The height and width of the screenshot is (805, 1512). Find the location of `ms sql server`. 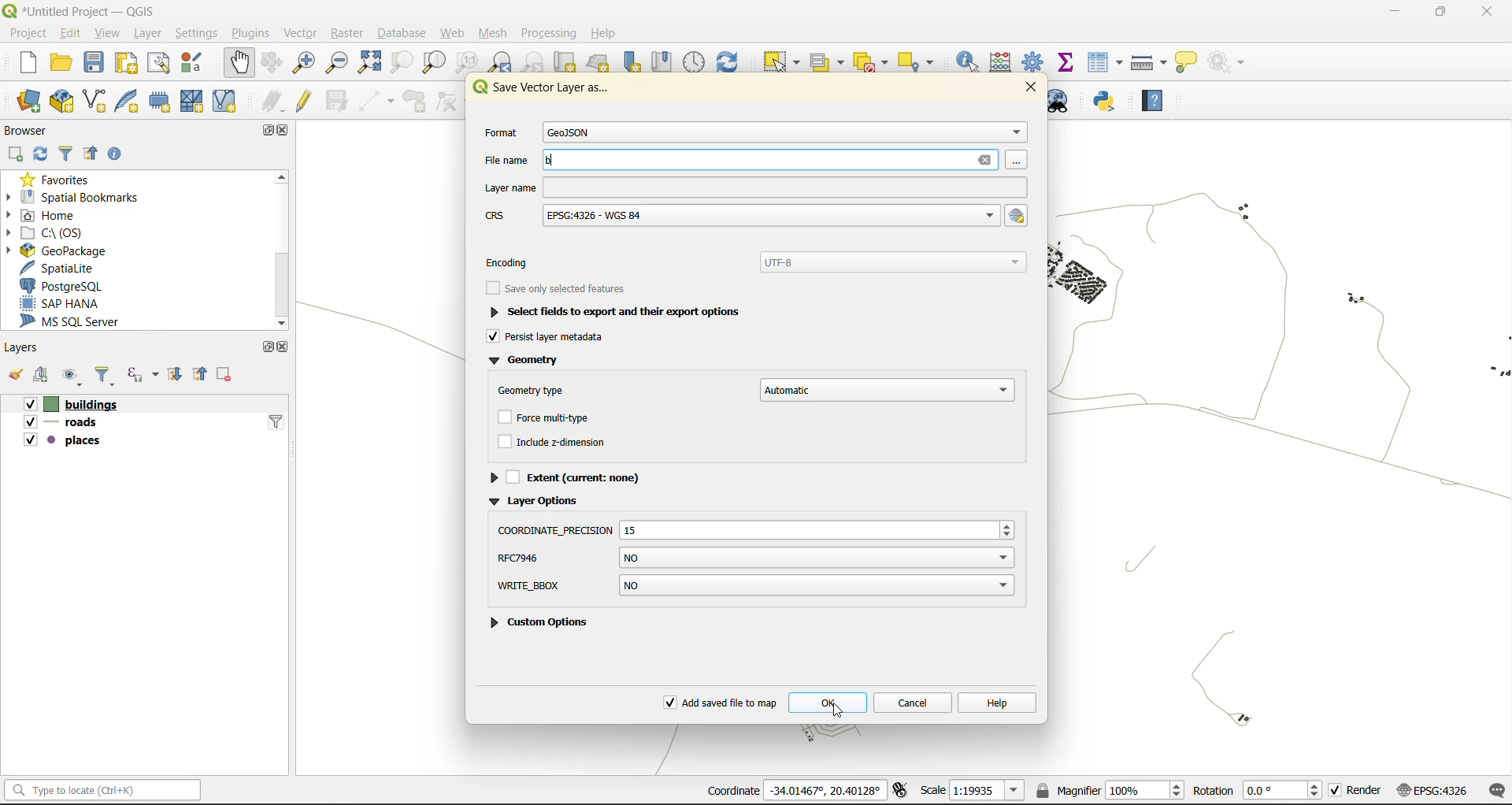

ms sql server is located at coordinates (76, 321).